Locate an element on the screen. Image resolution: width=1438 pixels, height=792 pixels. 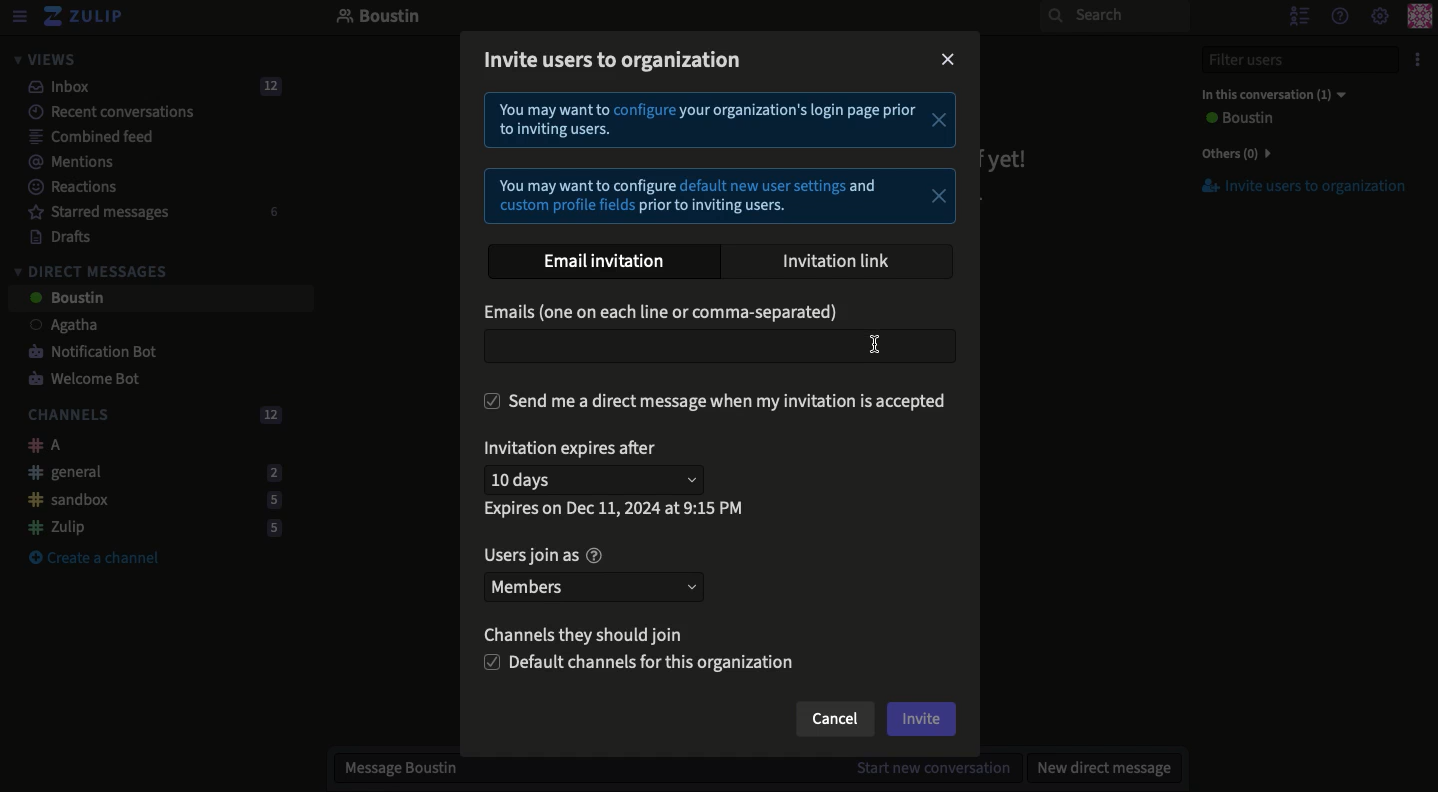
Create a channel is located at coordinates (94, 559).